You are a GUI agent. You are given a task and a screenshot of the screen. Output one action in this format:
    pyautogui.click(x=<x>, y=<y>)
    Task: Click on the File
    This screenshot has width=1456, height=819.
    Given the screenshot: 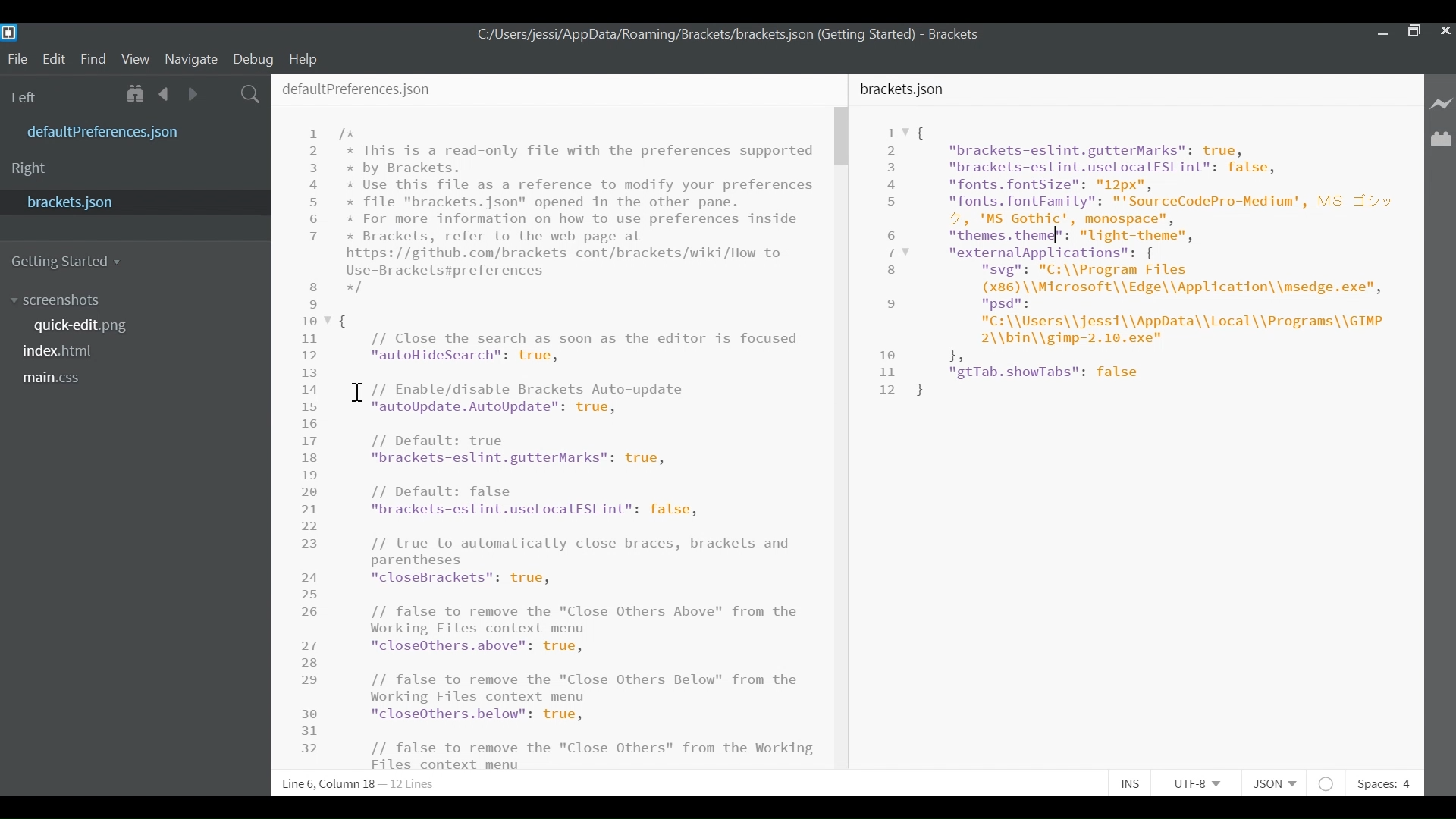 What is the action you would take?
    pyautogui.click(x=17, y=58)
    